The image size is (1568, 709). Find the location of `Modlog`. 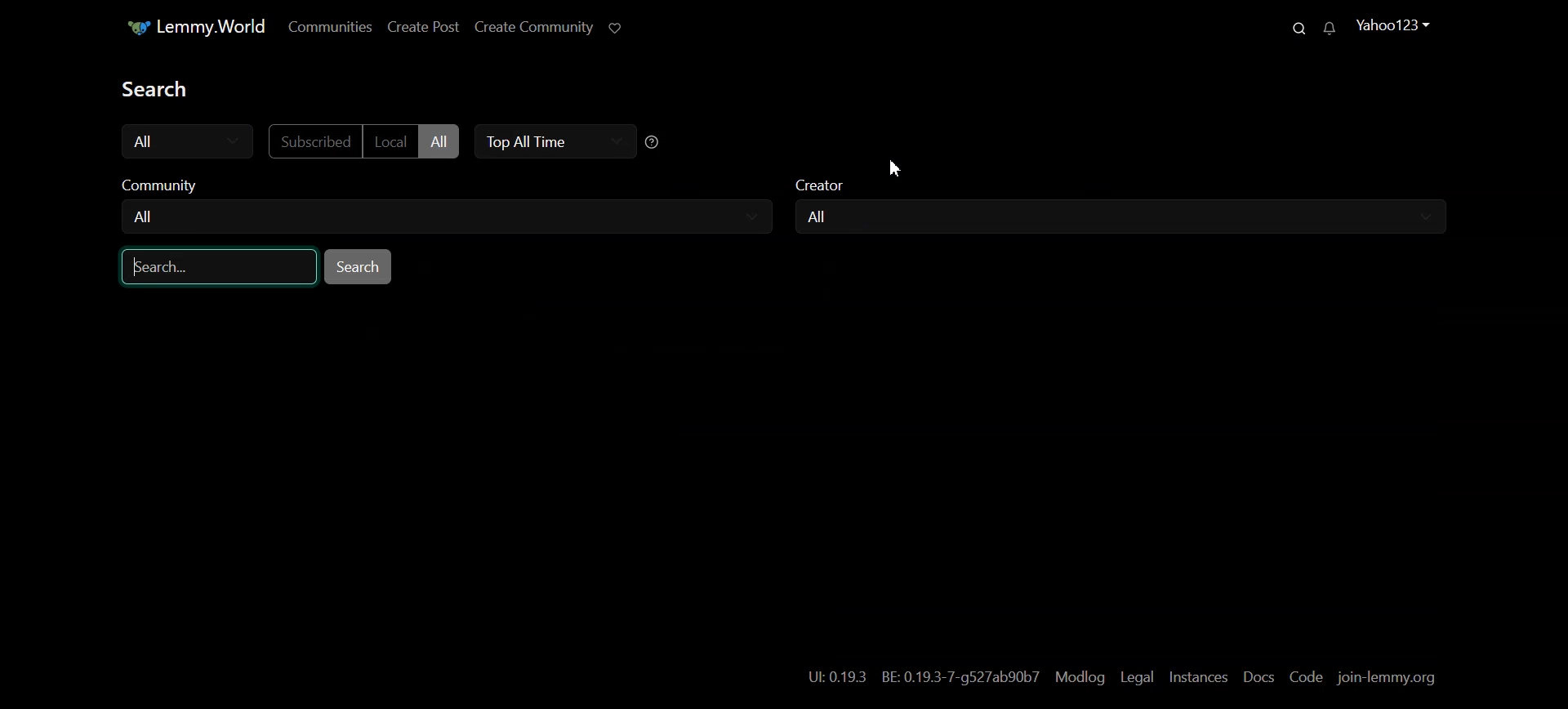

Modlog is located at coordinates (1079, 678).